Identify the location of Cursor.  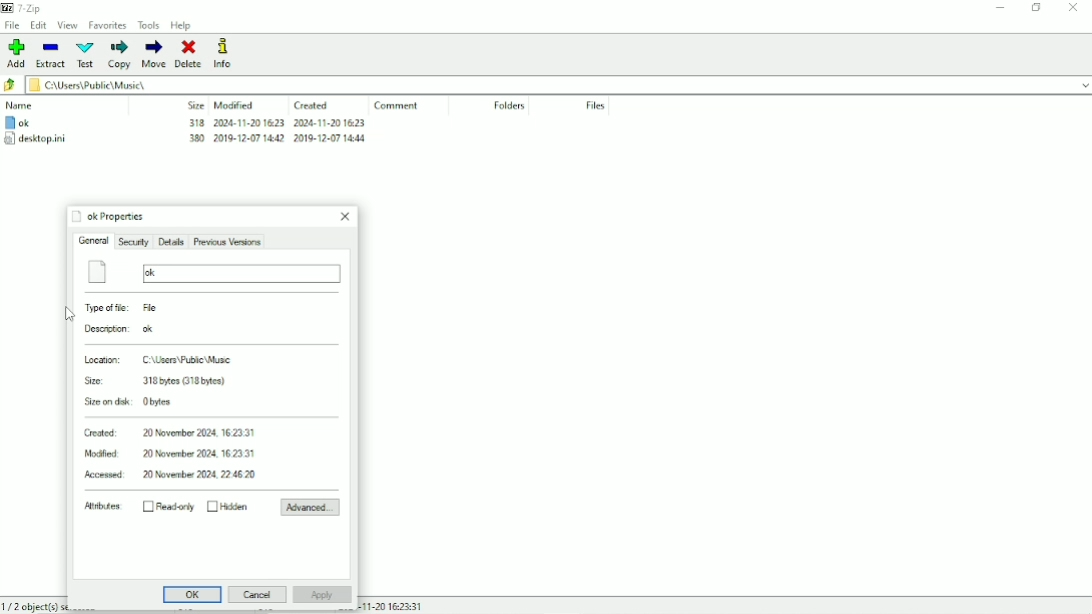
(68, 314).